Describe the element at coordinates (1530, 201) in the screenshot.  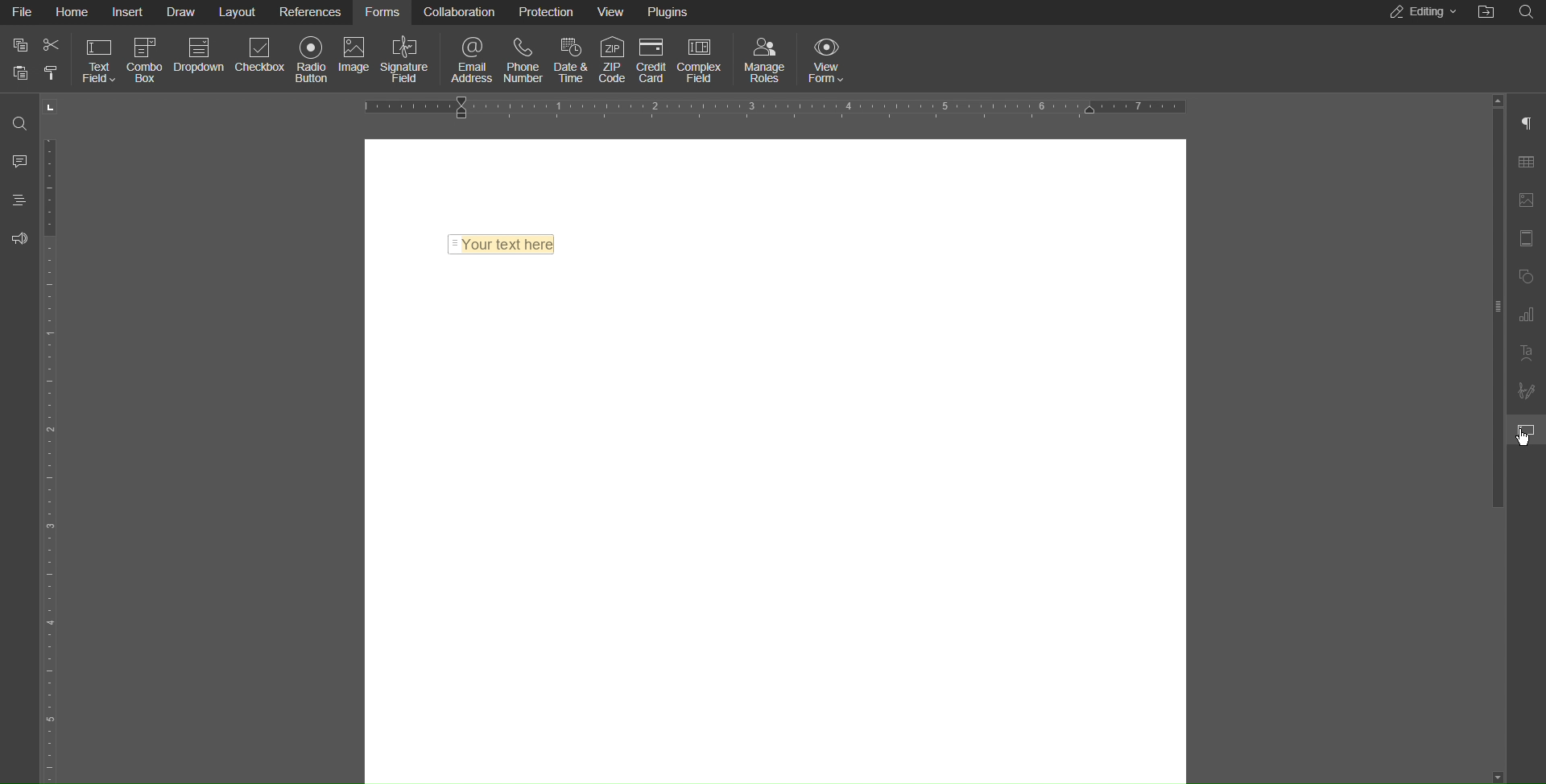
I see `Image Settings` at that location.